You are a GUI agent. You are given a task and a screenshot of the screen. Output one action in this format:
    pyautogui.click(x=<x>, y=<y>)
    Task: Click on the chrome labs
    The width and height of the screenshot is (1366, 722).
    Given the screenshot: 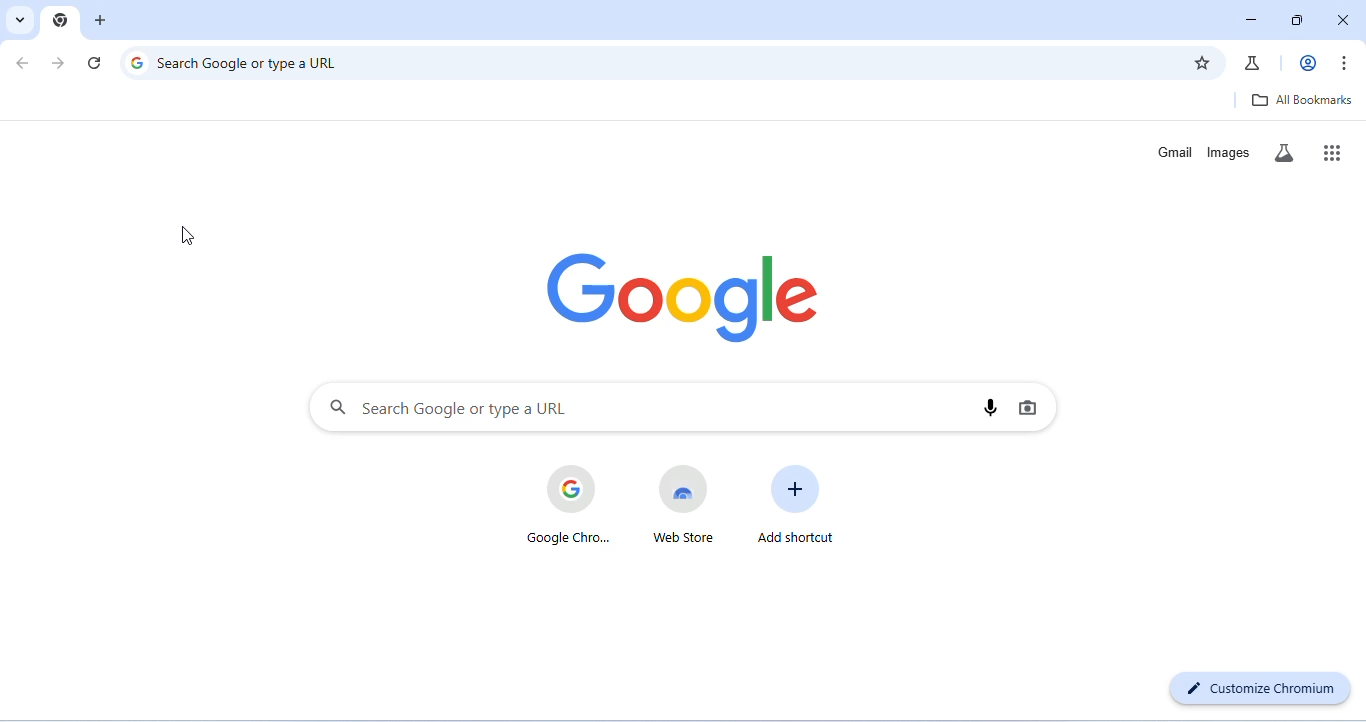 What is the action you would take?
    pyautogui.click(x=1253, y=61)
    